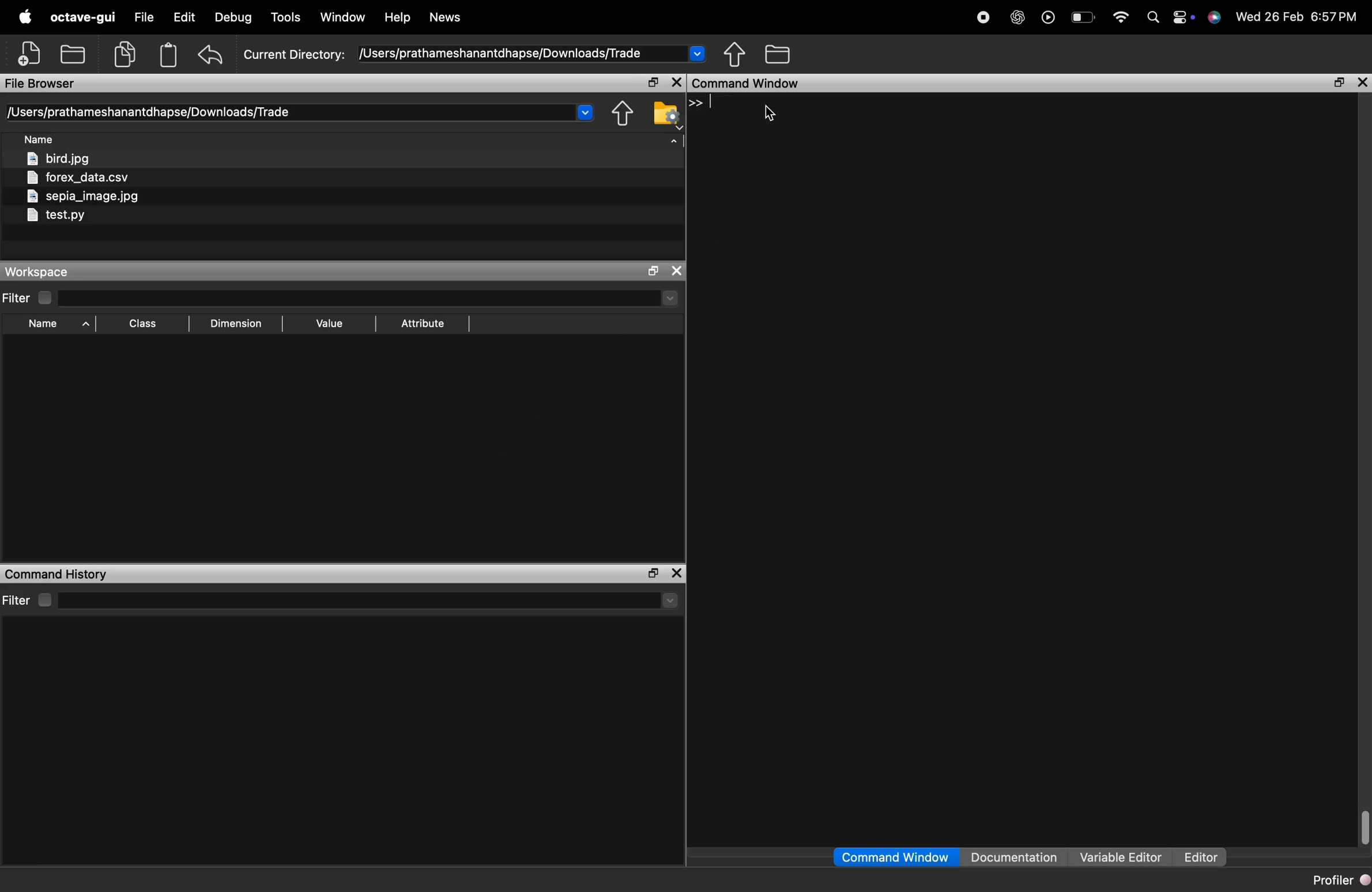  Describe the element at coordinates (1339, 82) in the screenshot. I see `maximize` at that location.